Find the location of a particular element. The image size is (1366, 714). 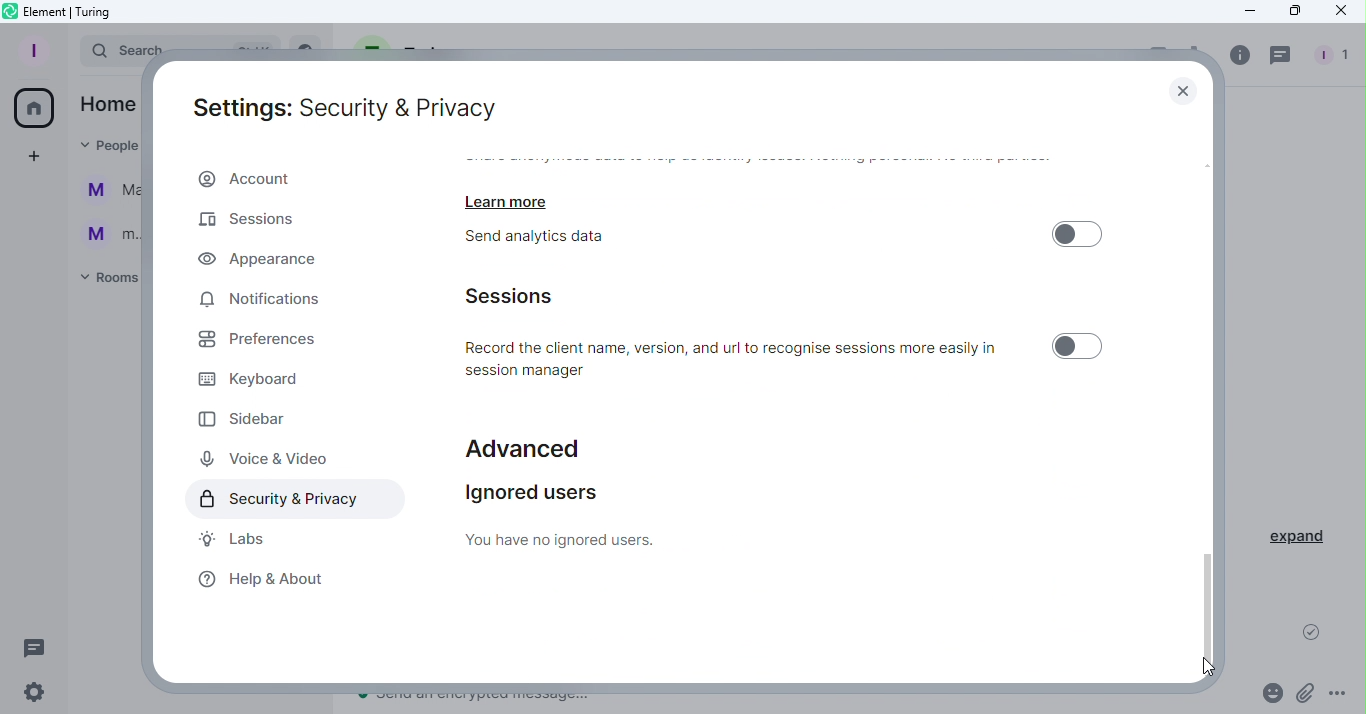

Account is located at coordinates (289, 178).